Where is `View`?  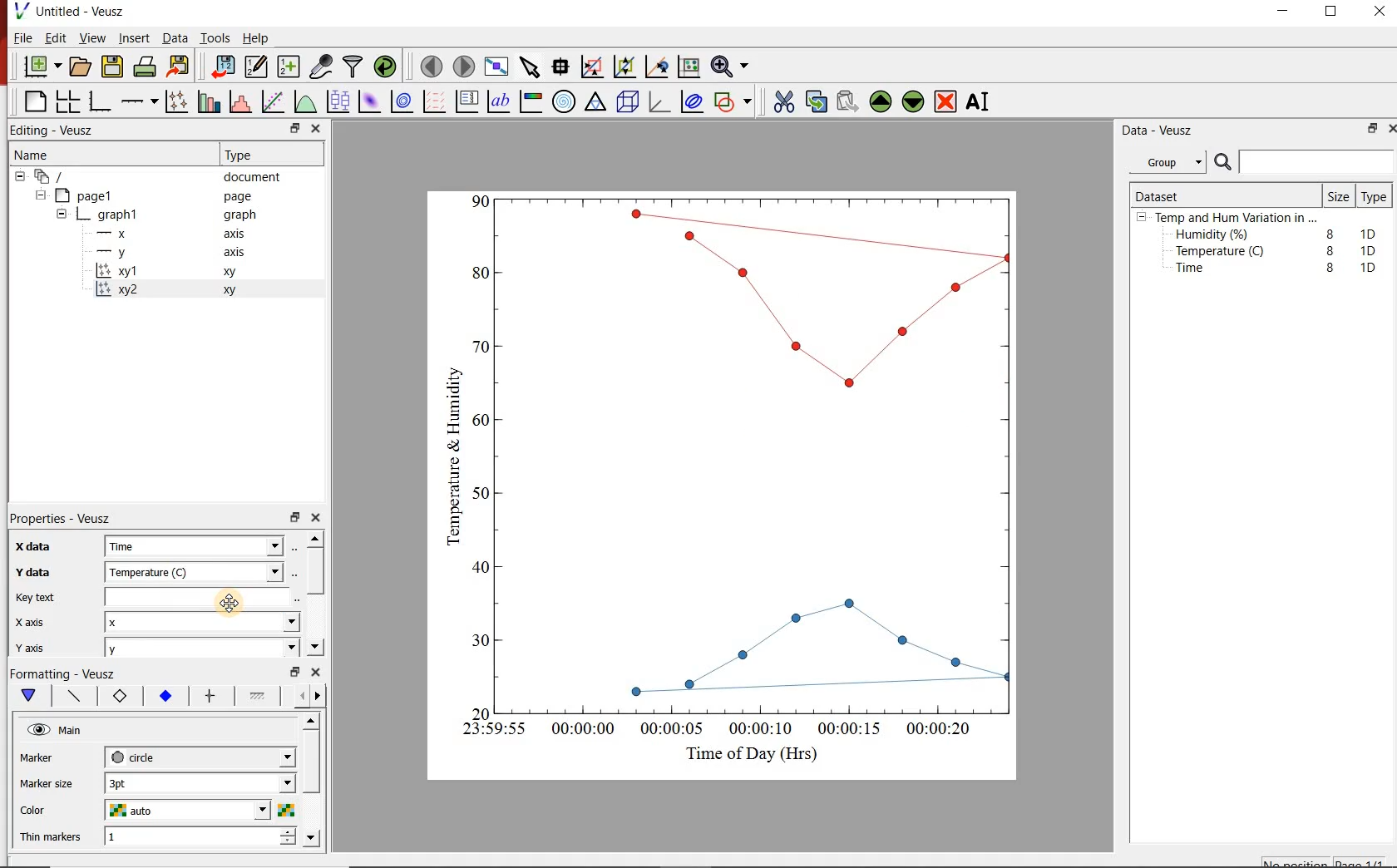 View is located at coordinates (92, 38).